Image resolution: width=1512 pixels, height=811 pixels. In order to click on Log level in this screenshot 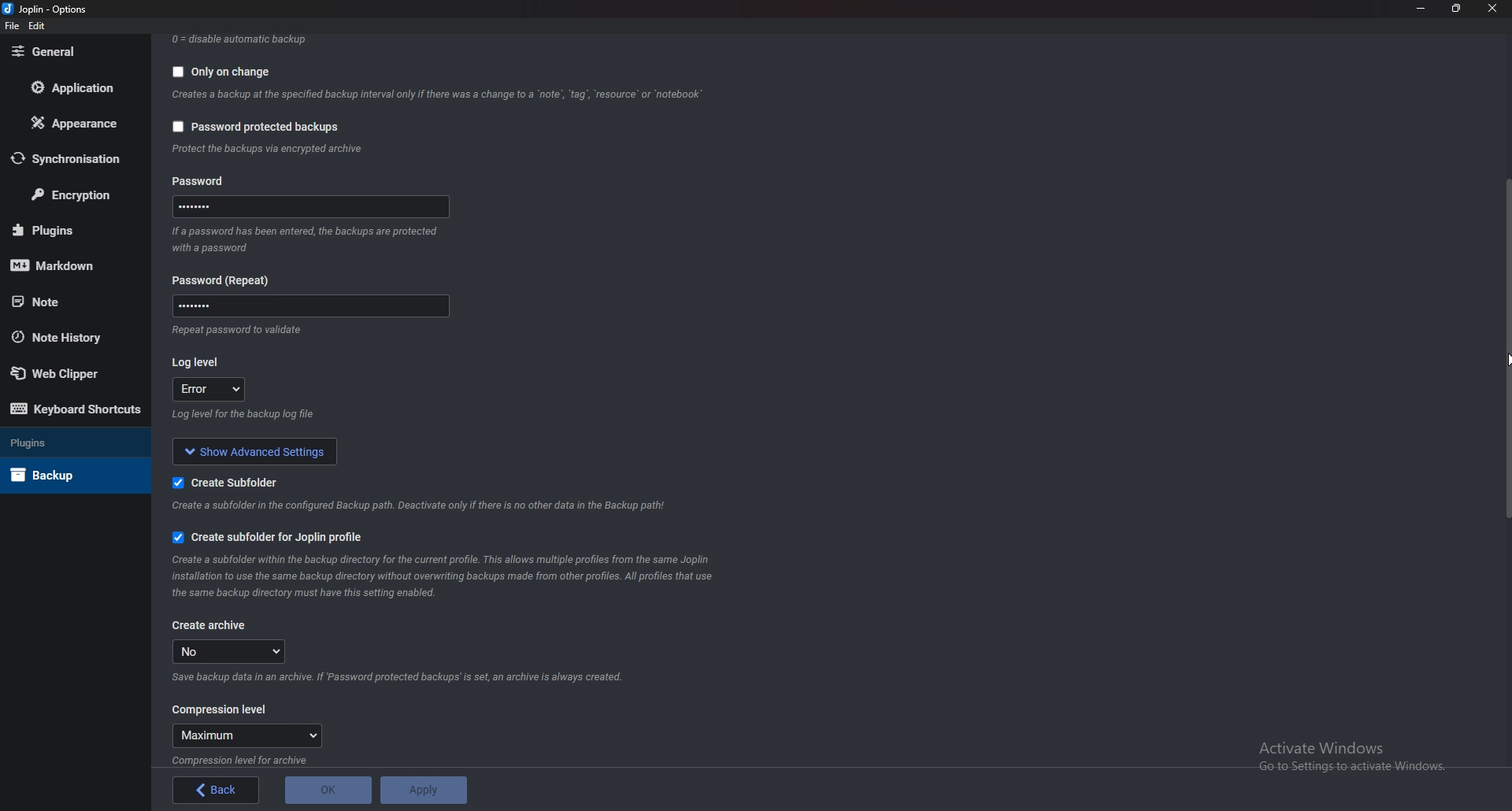, I will do `click(200, 362)`.